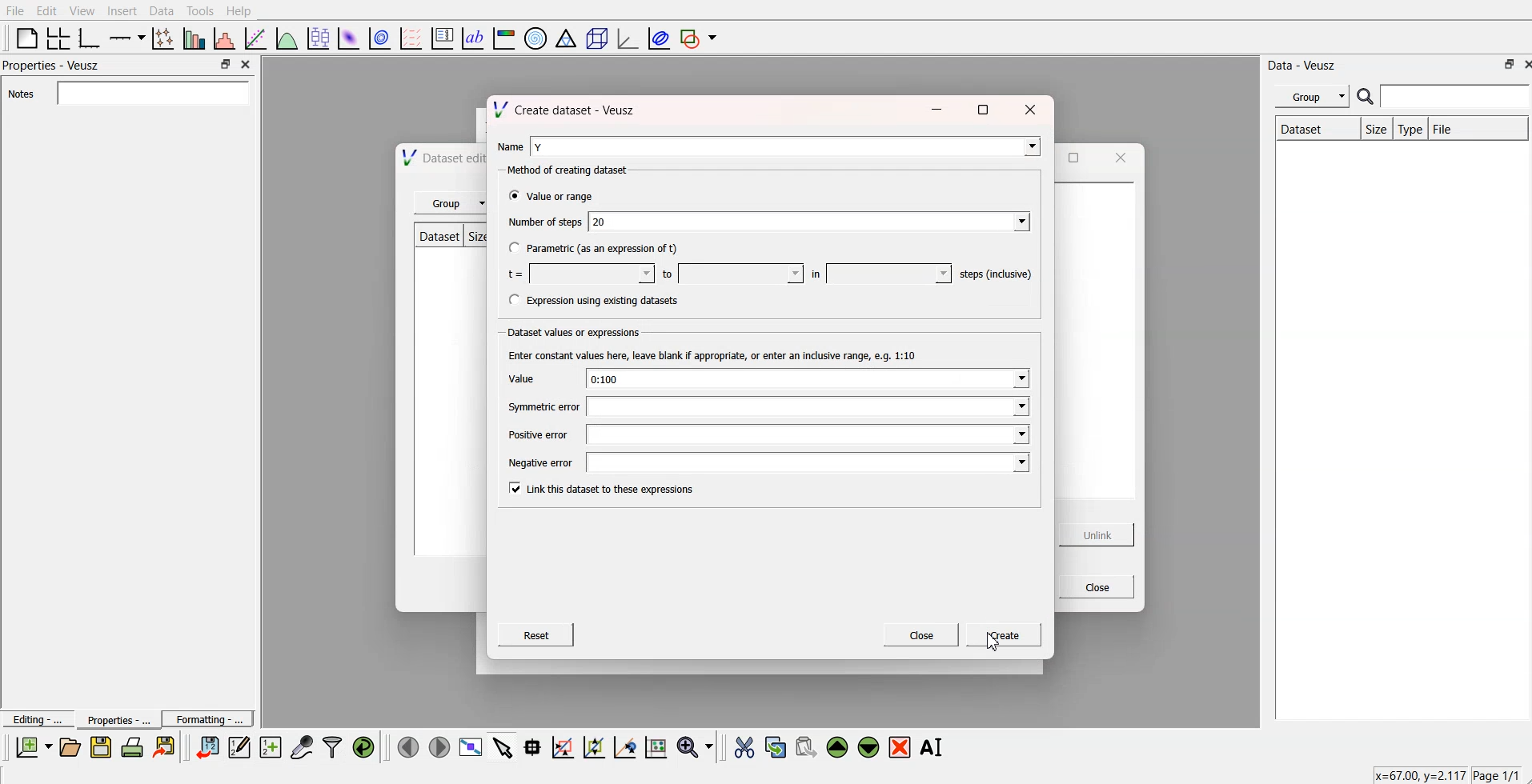 This screenshot has width=1532, height=784. Describe the element at coordinates (471, 746) in the screenshot. I see `View plot full screen` at that location.